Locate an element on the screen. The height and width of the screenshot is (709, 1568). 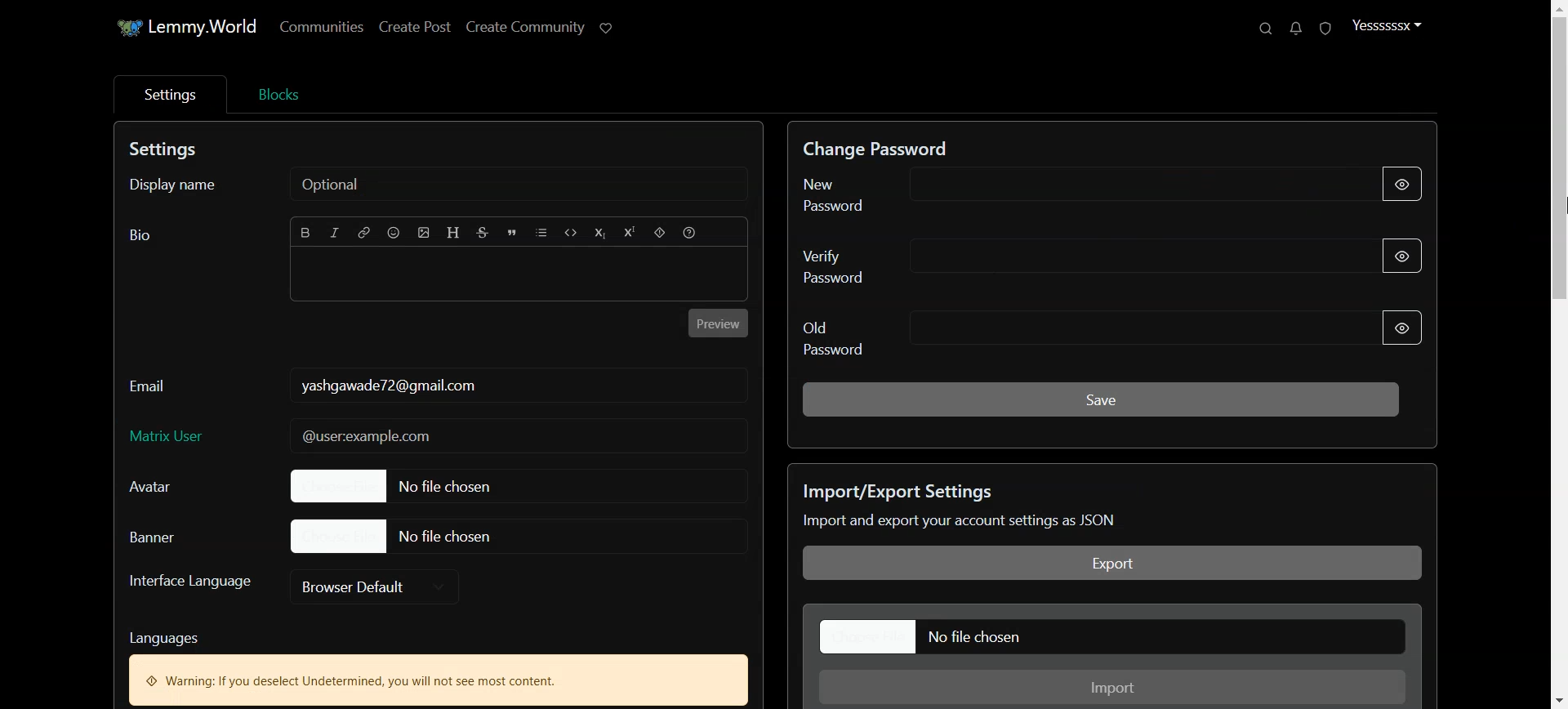
email is located at coordinates (417, 384).